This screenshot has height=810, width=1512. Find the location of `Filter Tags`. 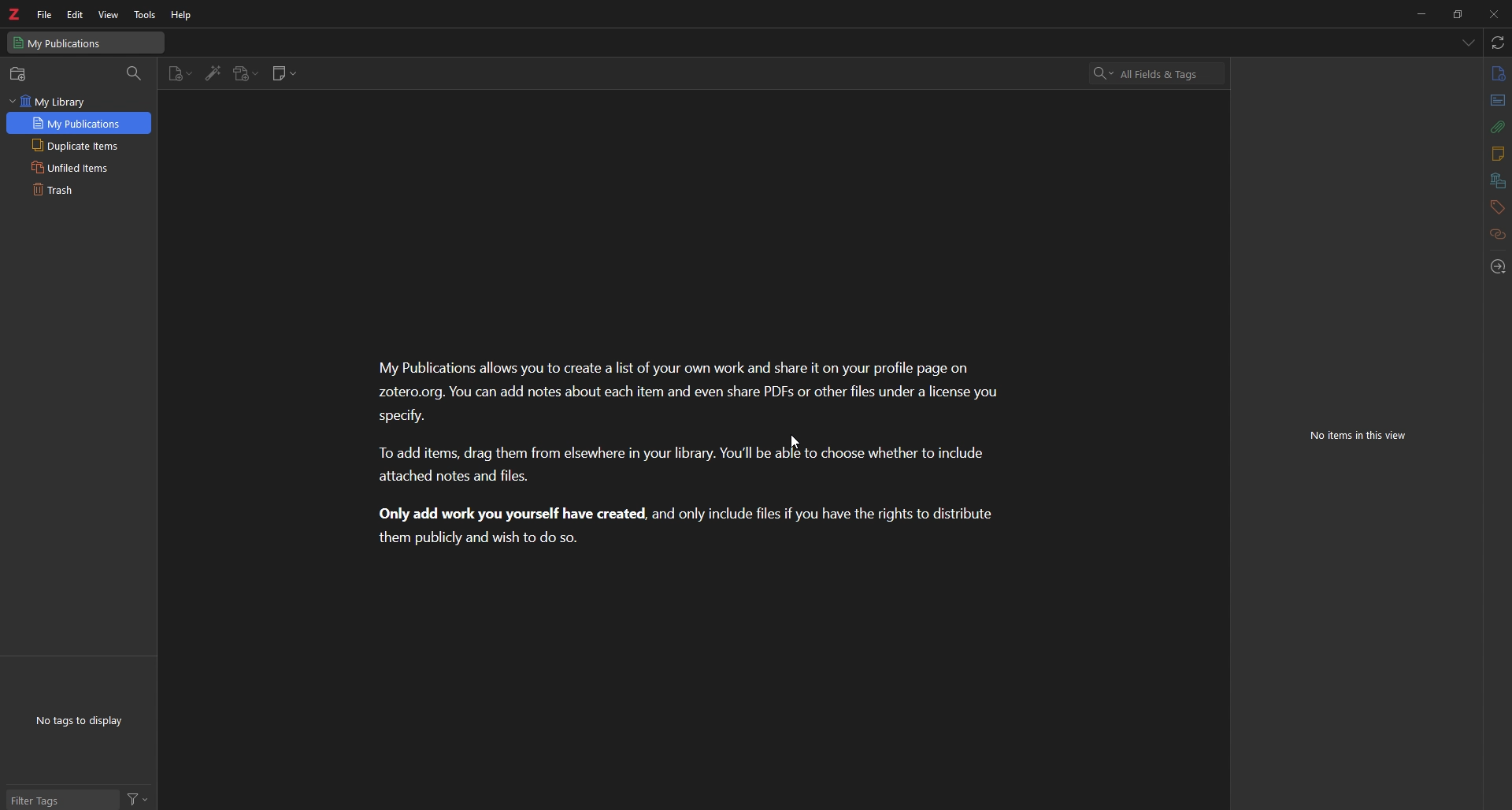

Filter Tags is located at coordinates (64, 800).